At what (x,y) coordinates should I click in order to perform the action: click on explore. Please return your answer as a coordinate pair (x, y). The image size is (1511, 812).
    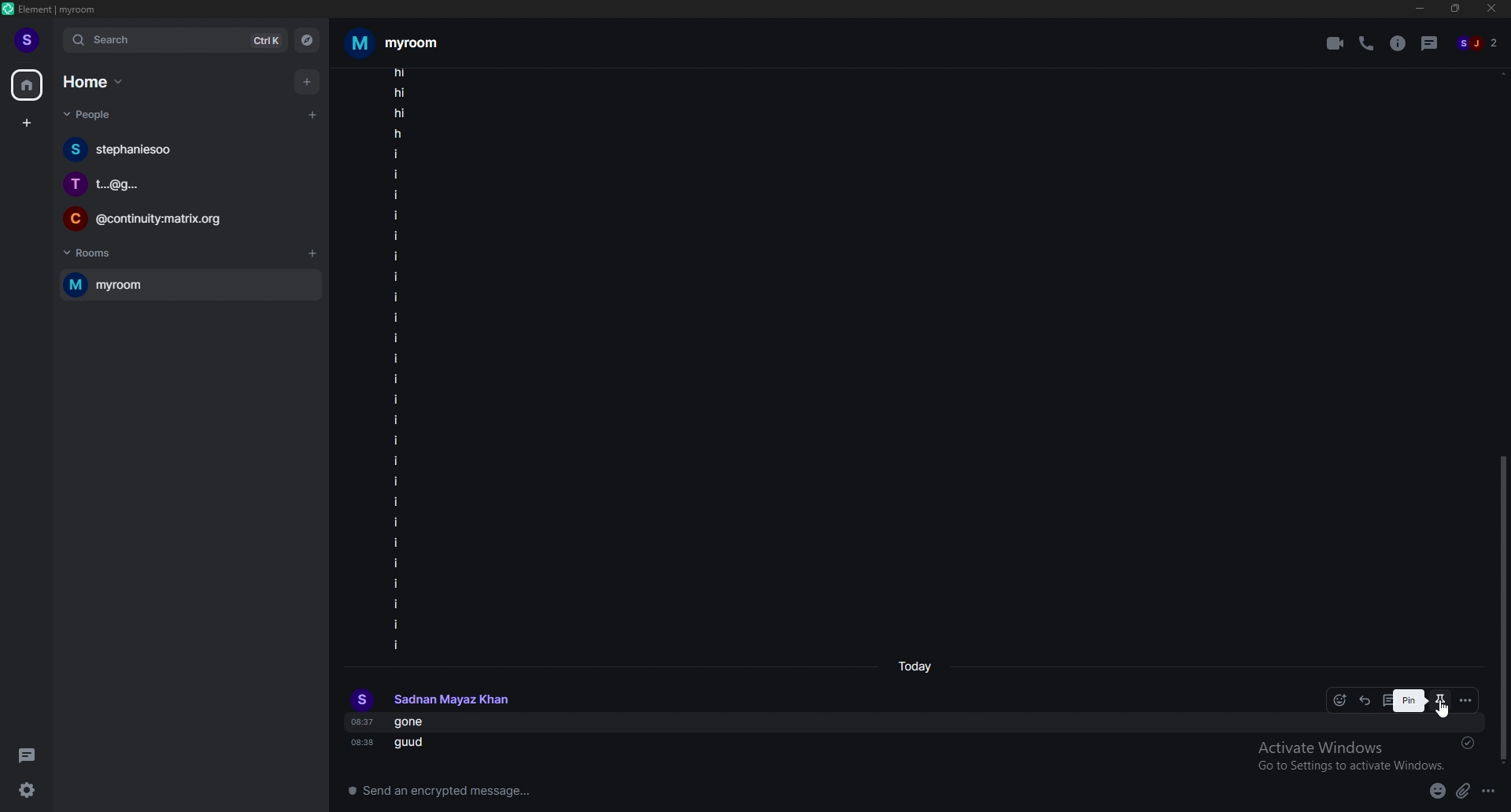
    Looking at the image, I should click on (308, 39).